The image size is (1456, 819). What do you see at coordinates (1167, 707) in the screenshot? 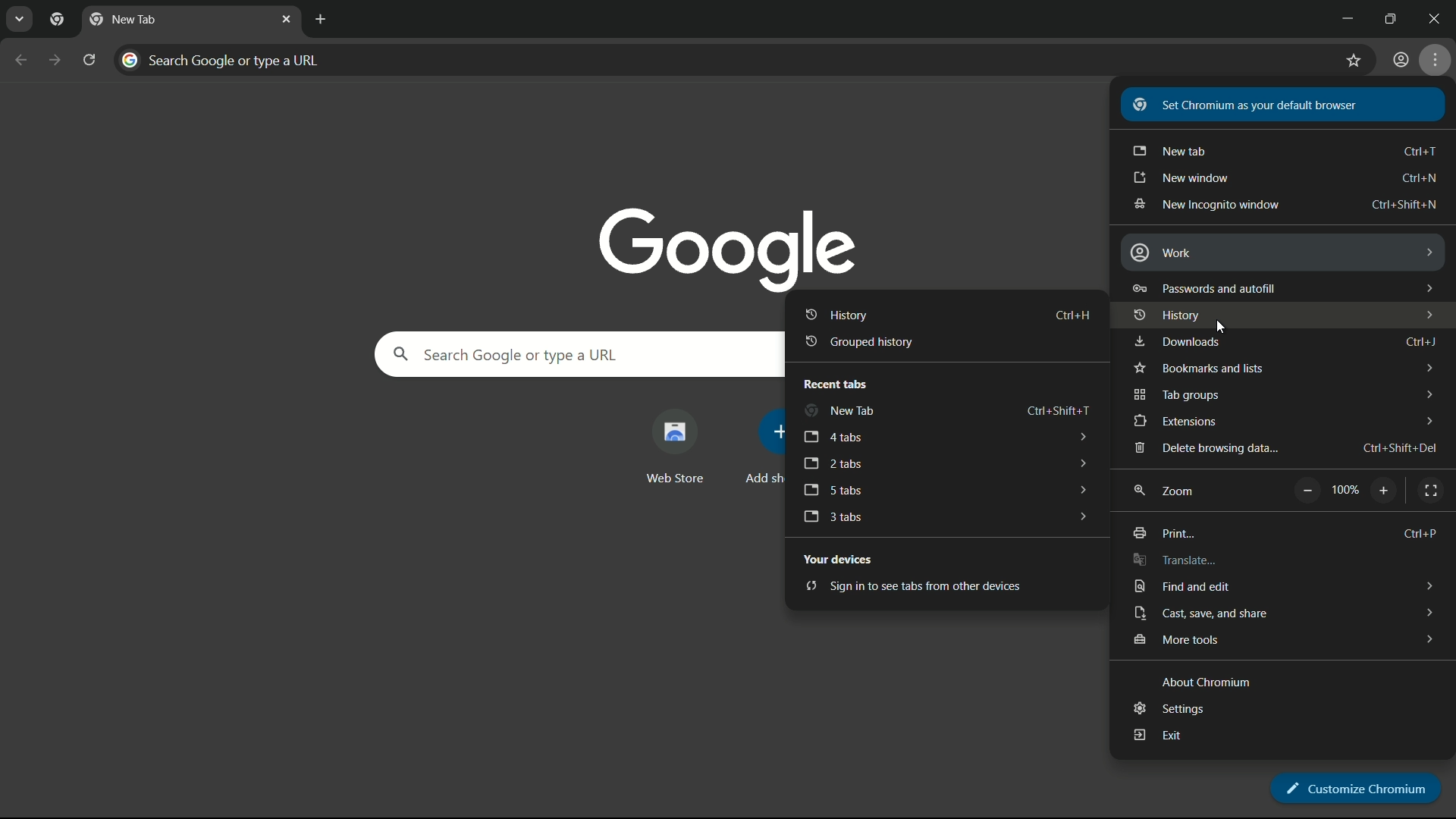
I see `settings` at bounding box center [1167, 707].